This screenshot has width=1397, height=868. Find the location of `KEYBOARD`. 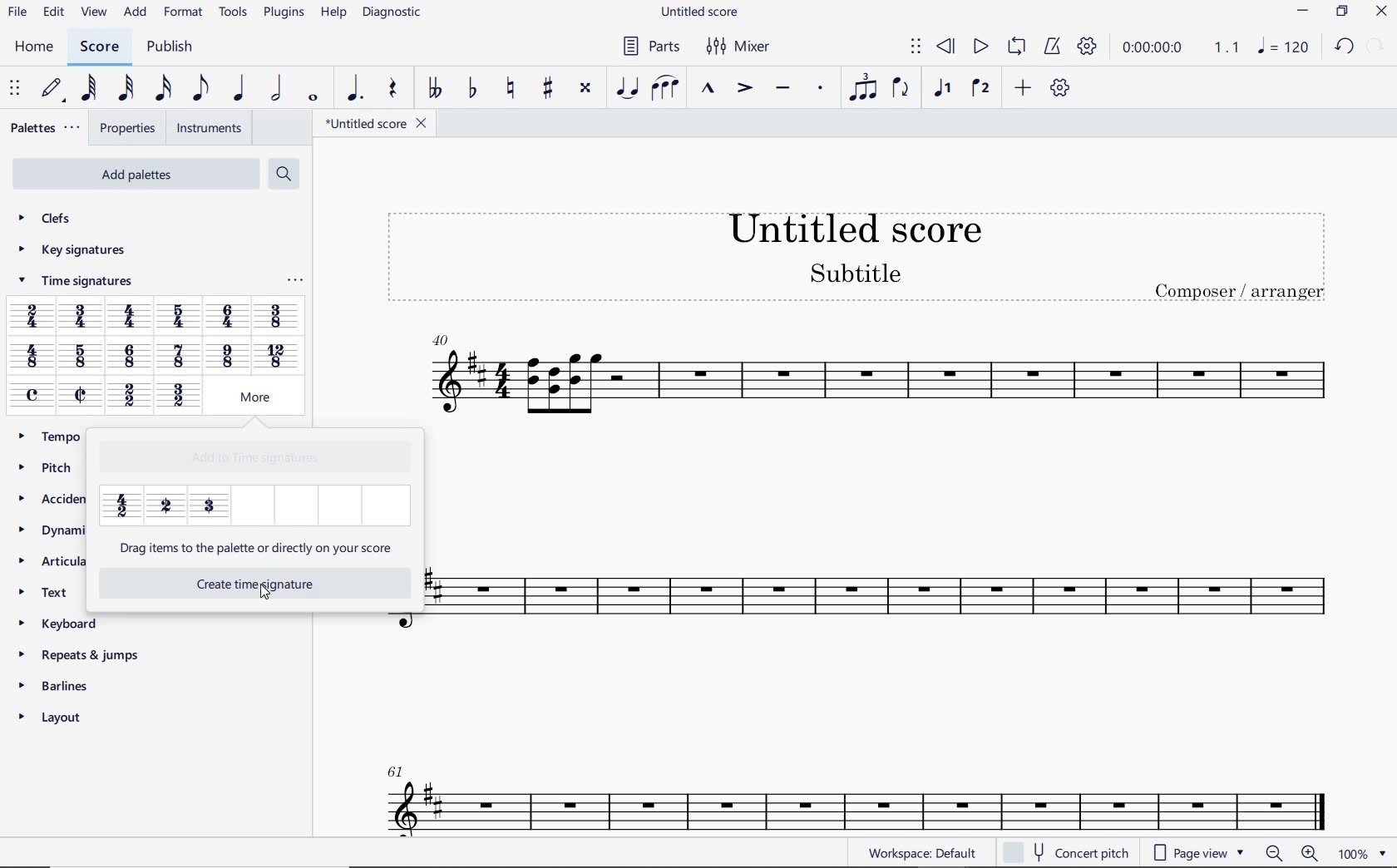

KEYBOARD is located at coordinates (61, 622).